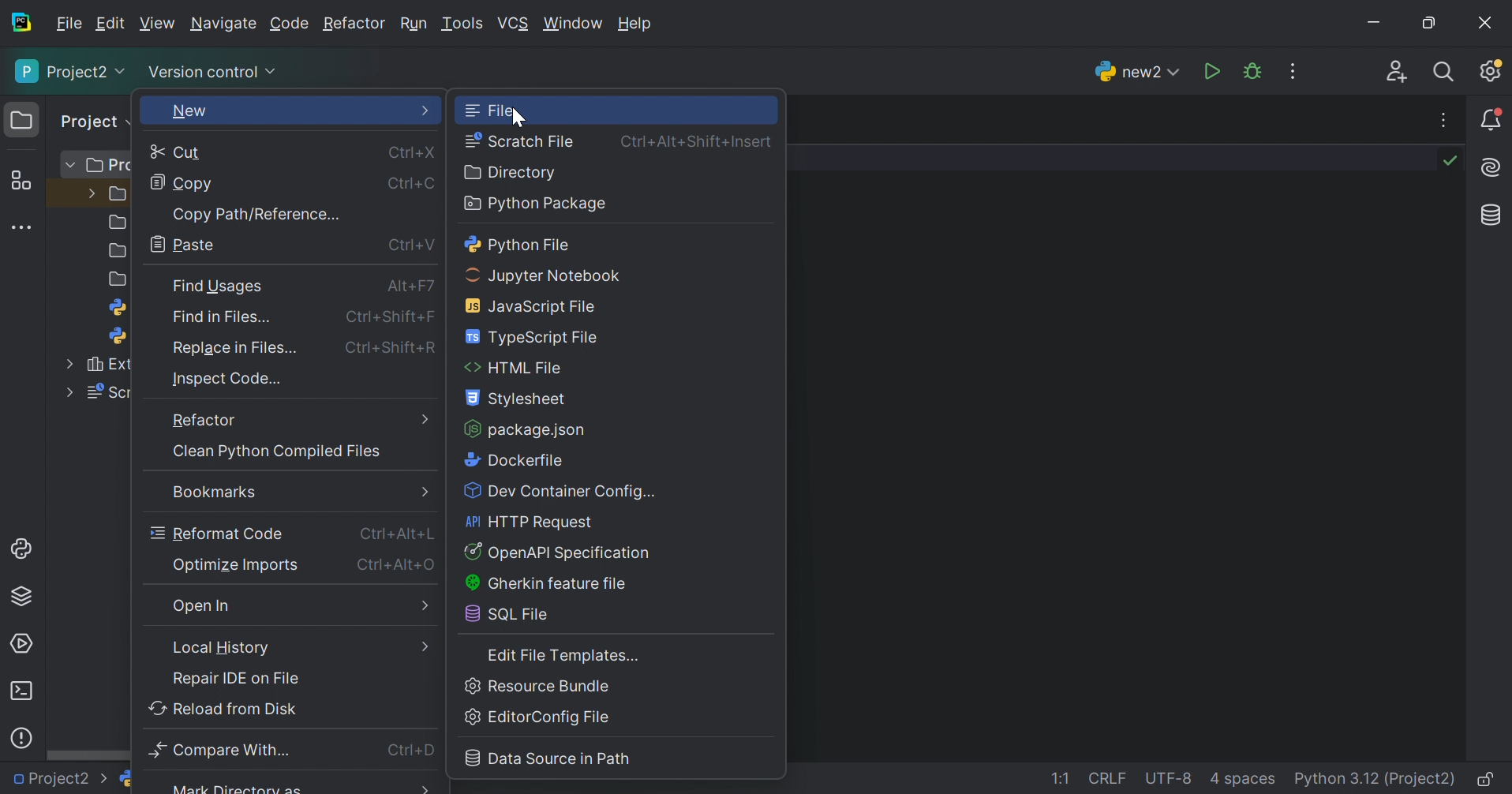 This screenshot has width=1512, height=794. Describe the element at coordinates (1426, 24) in the screenshot. I see `Restore down` at that location.